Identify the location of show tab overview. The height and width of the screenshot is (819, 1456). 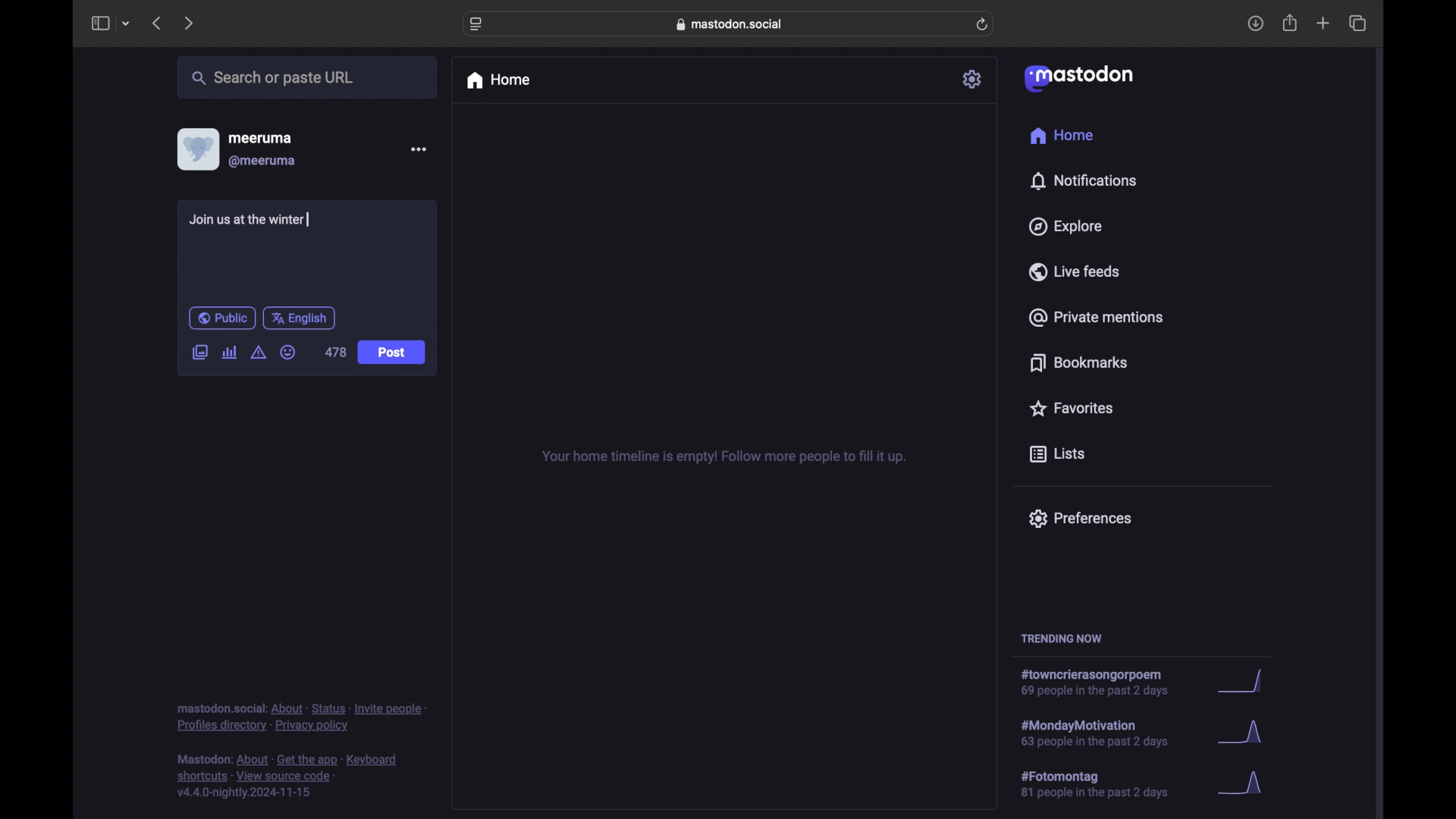
(1357, 24).